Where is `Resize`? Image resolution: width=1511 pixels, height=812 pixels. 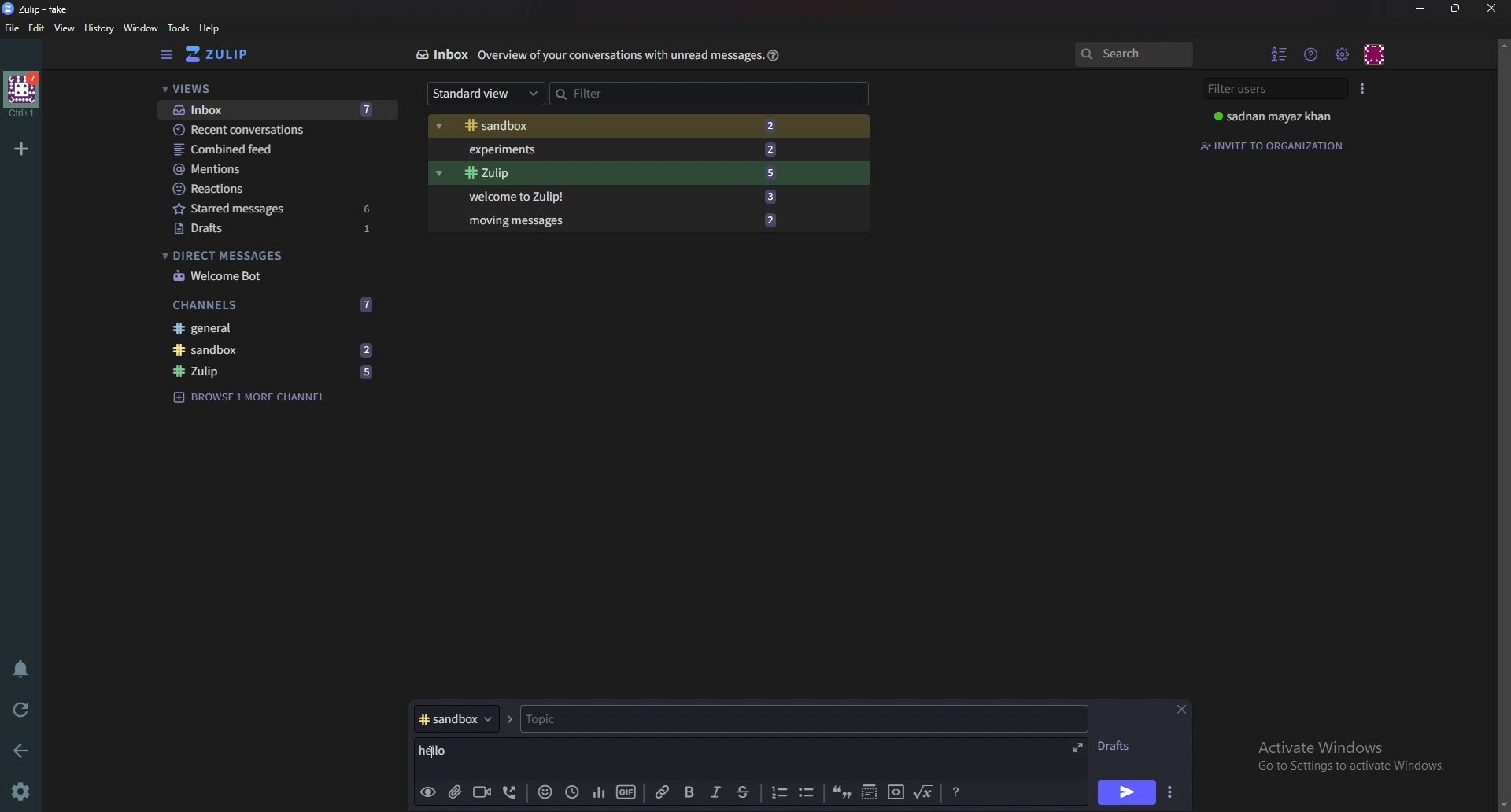
Resize is located at coordinates (1457, 8).